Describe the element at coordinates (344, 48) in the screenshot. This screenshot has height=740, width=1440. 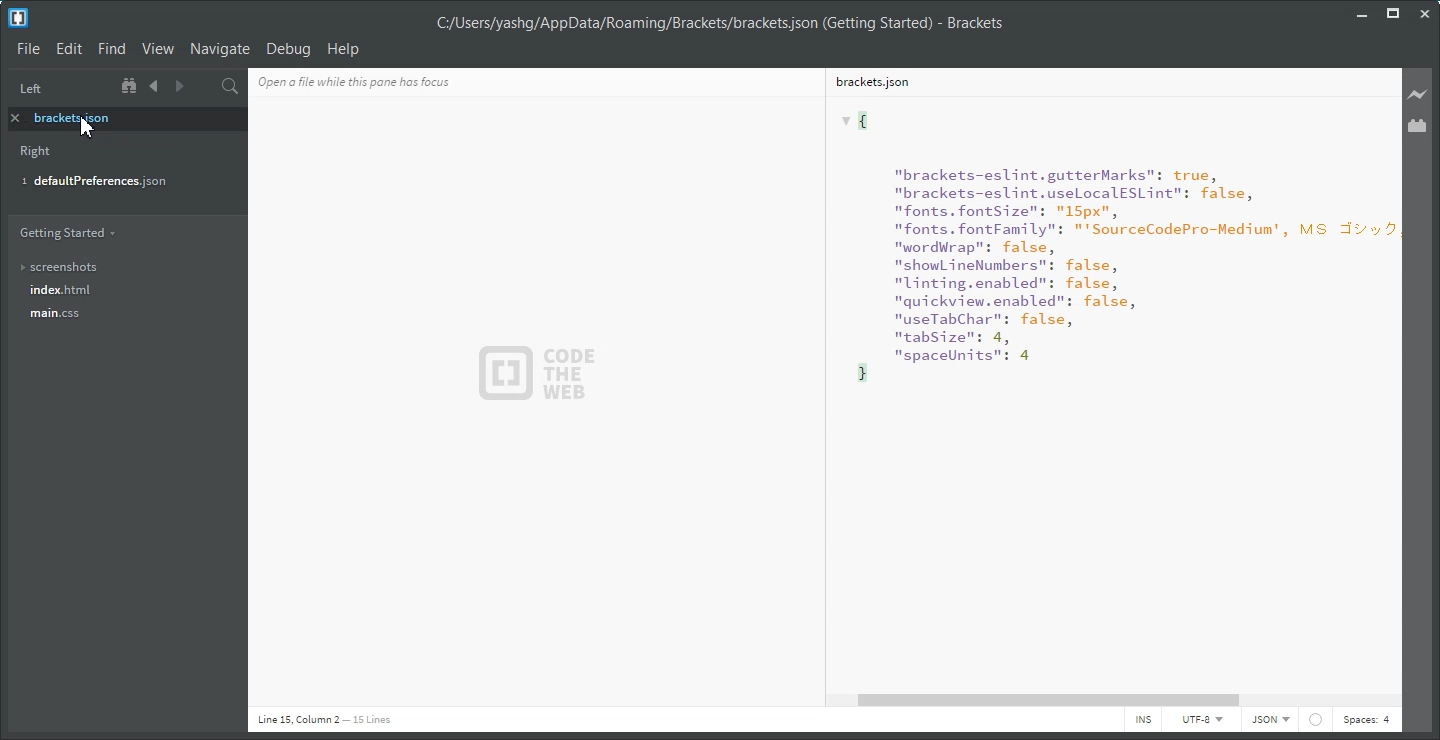
I see `Help` at that location.